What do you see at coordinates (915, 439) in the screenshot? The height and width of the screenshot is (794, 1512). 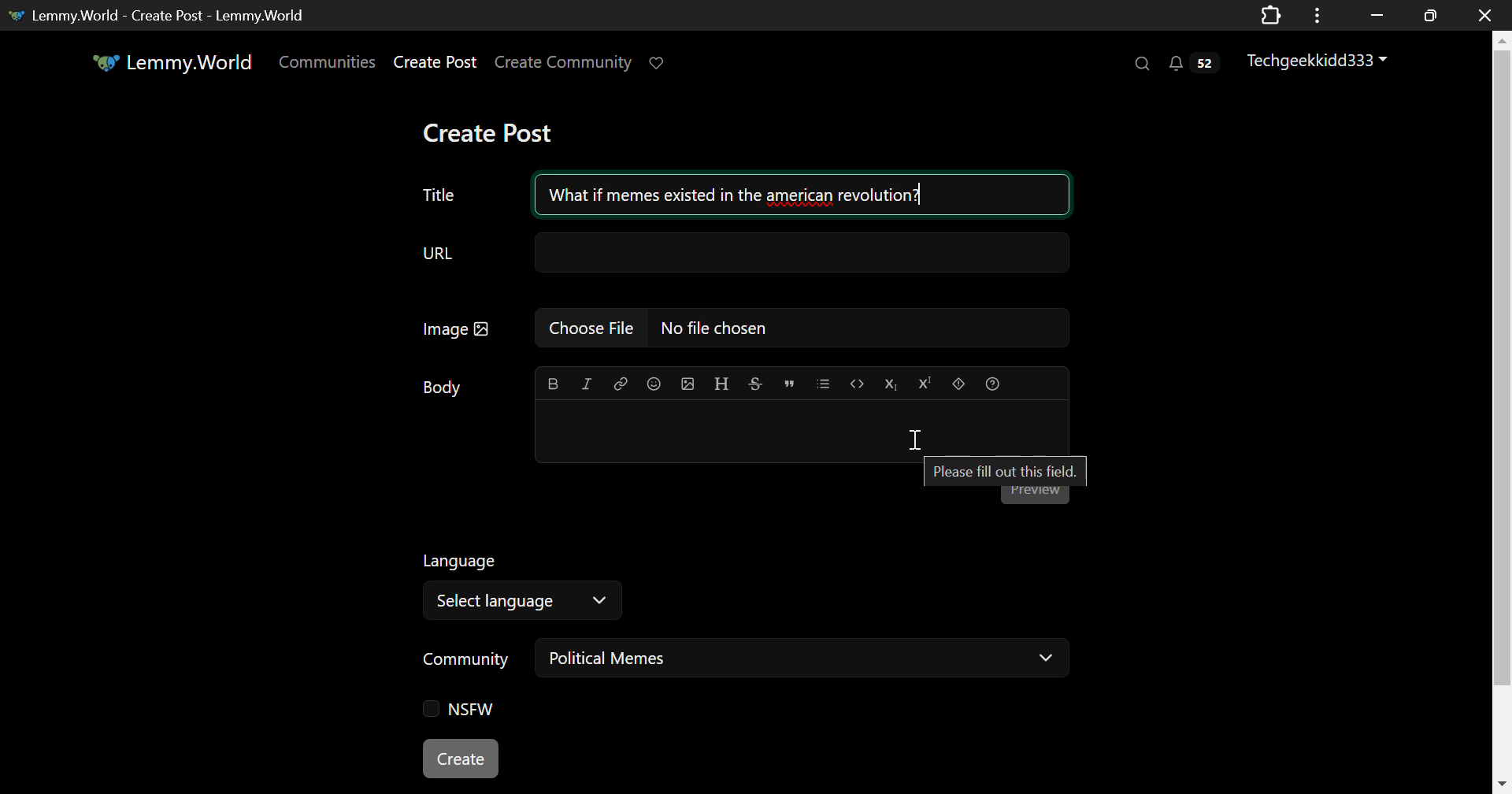 I see `Cursor on Post Body Textbox` at bounding box center [915, 439].